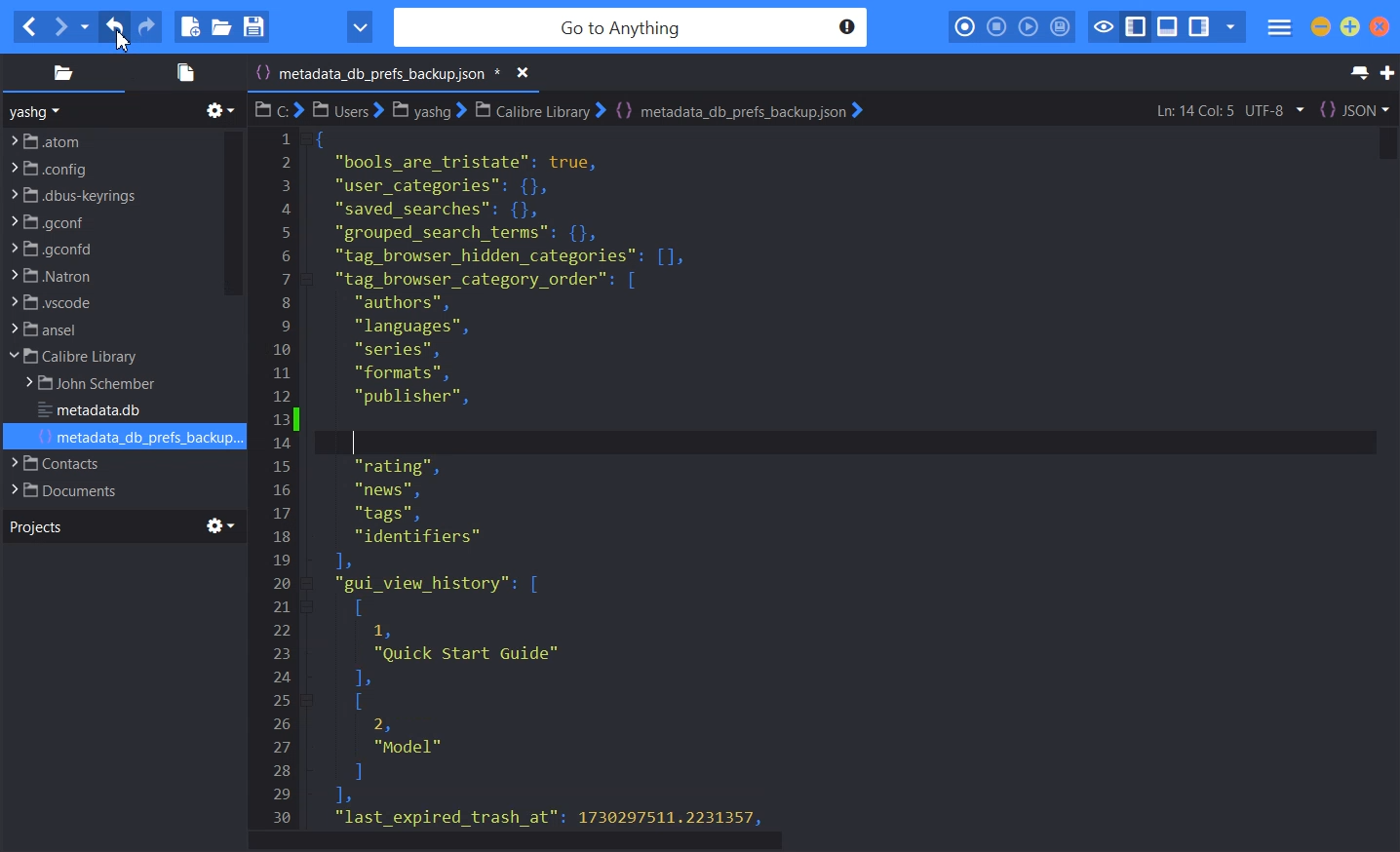 The width and height of the screenshot is (1400, 852). I want to click on Show/Hide right pane, so click(1199, 27).